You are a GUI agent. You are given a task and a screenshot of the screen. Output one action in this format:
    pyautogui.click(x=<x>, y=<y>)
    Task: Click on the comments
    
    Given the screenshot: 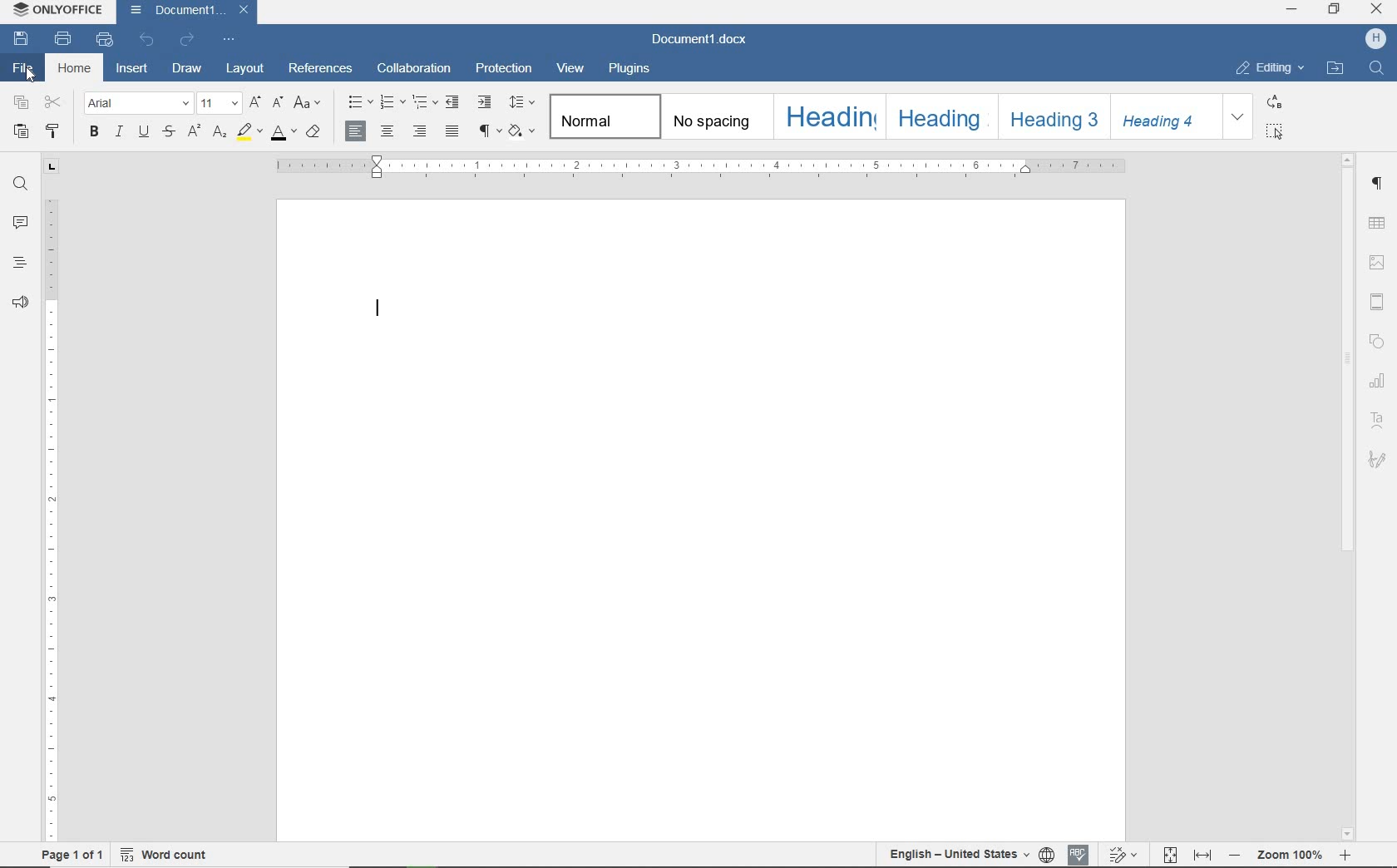 What is the action you would take?
    pyautogui.click(x=19, y=222)
    